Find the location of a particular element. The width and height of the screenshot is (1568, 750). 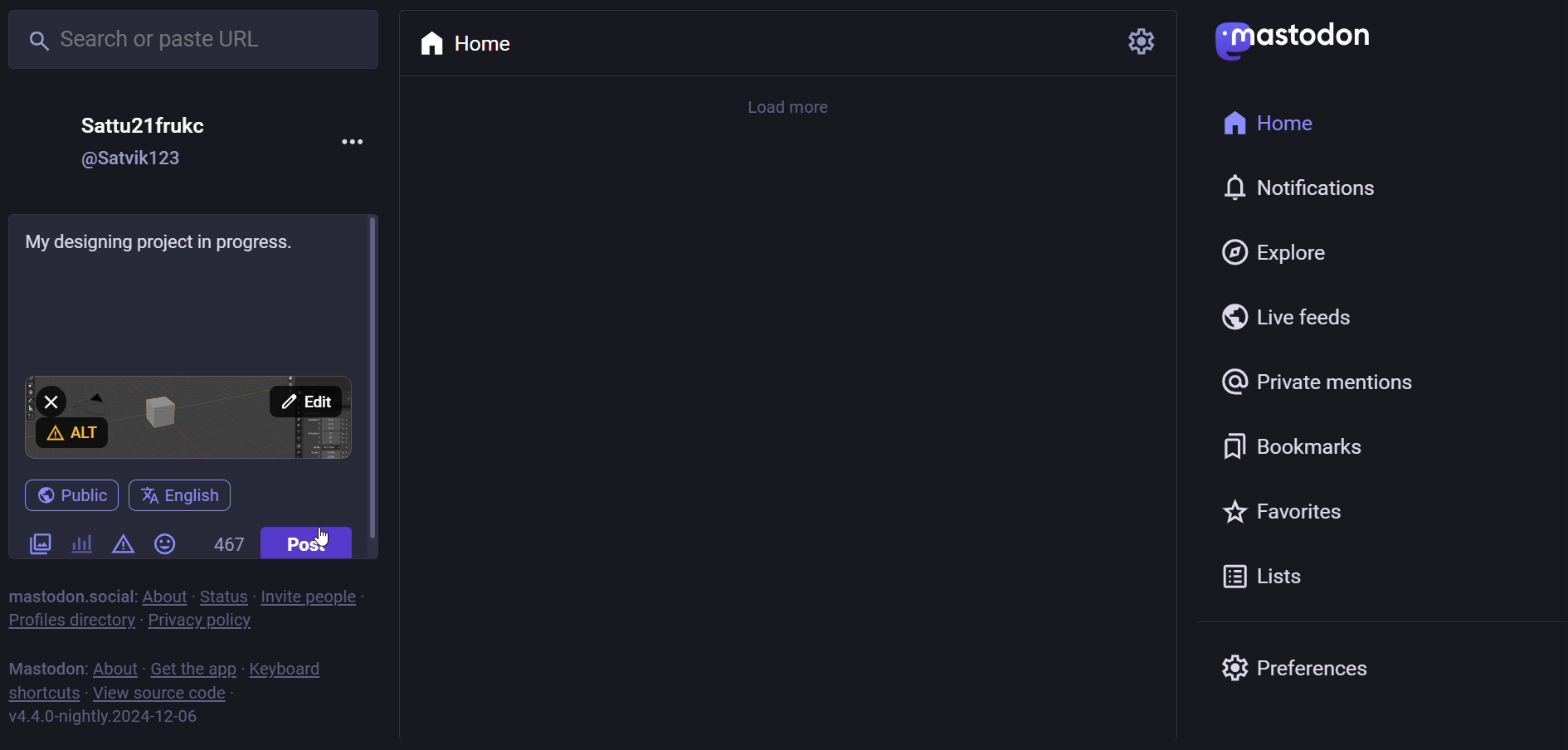

home is located at coordinates (1301, 126).